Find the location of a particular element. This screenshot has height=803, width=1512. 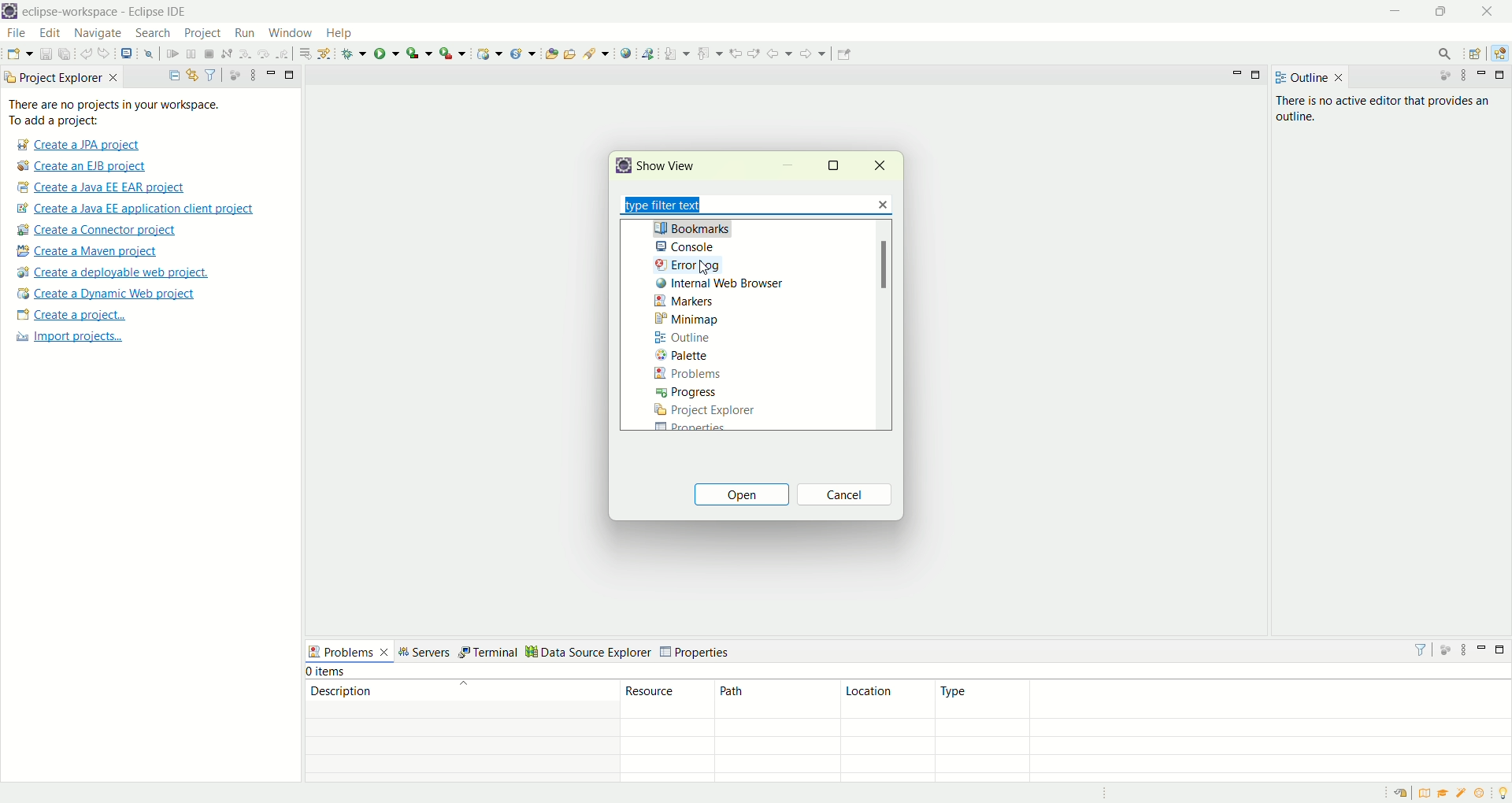

errror log is located at coordinates (689, 266).